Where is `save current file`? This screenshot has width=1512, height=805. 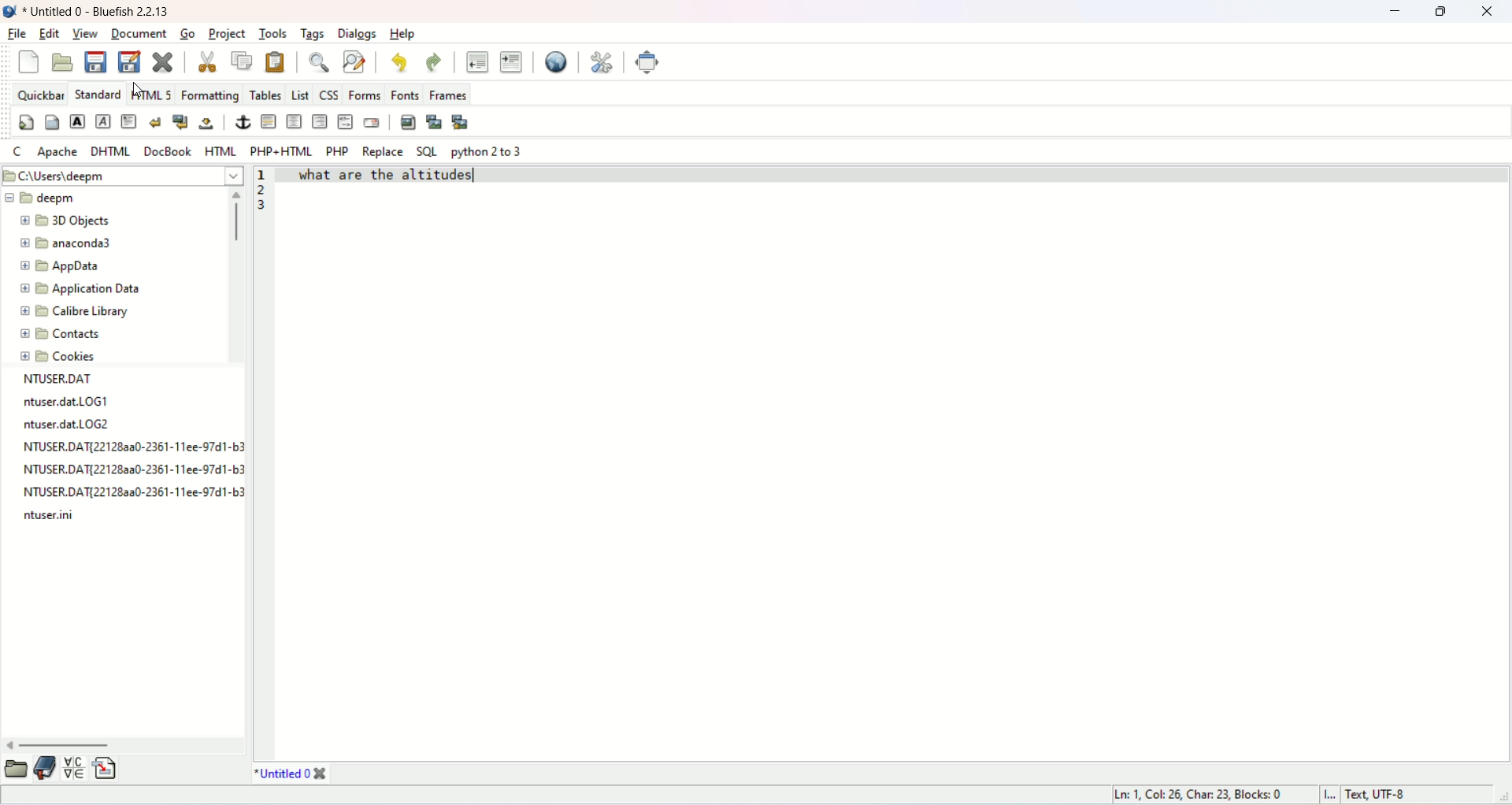
save current file is located at coordinates (94, 61).